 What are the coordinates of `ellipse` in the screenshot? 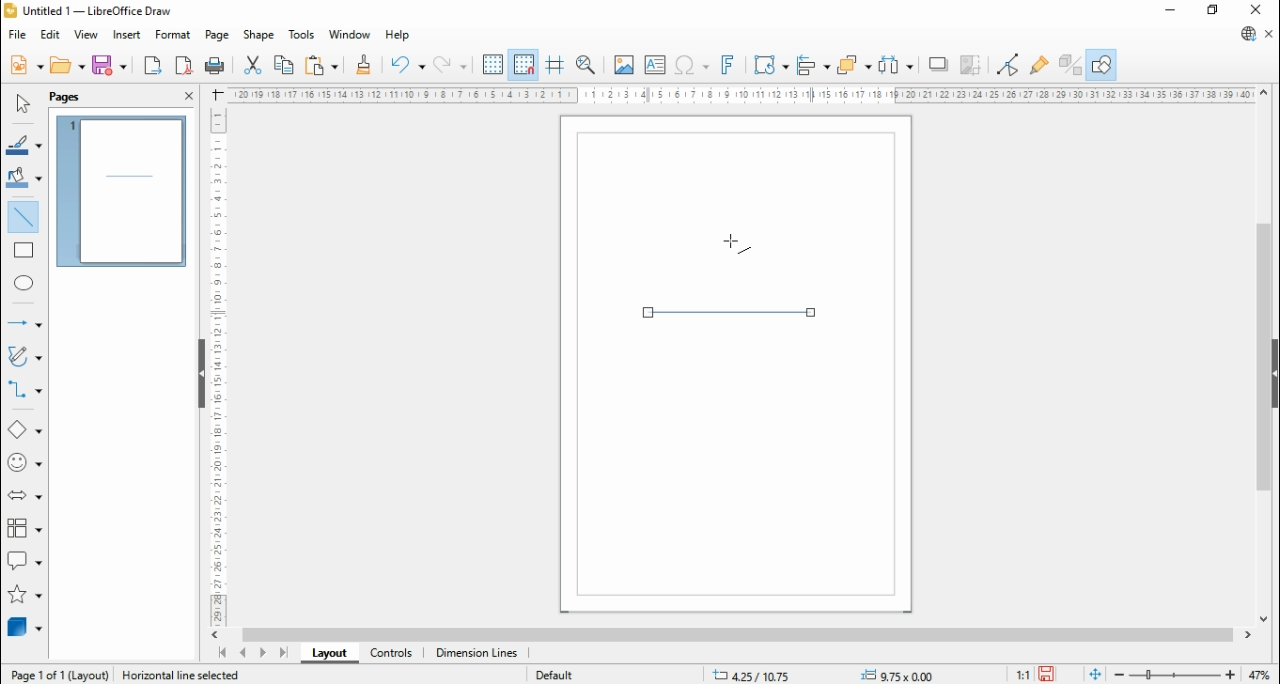 It's located at (24, 282).